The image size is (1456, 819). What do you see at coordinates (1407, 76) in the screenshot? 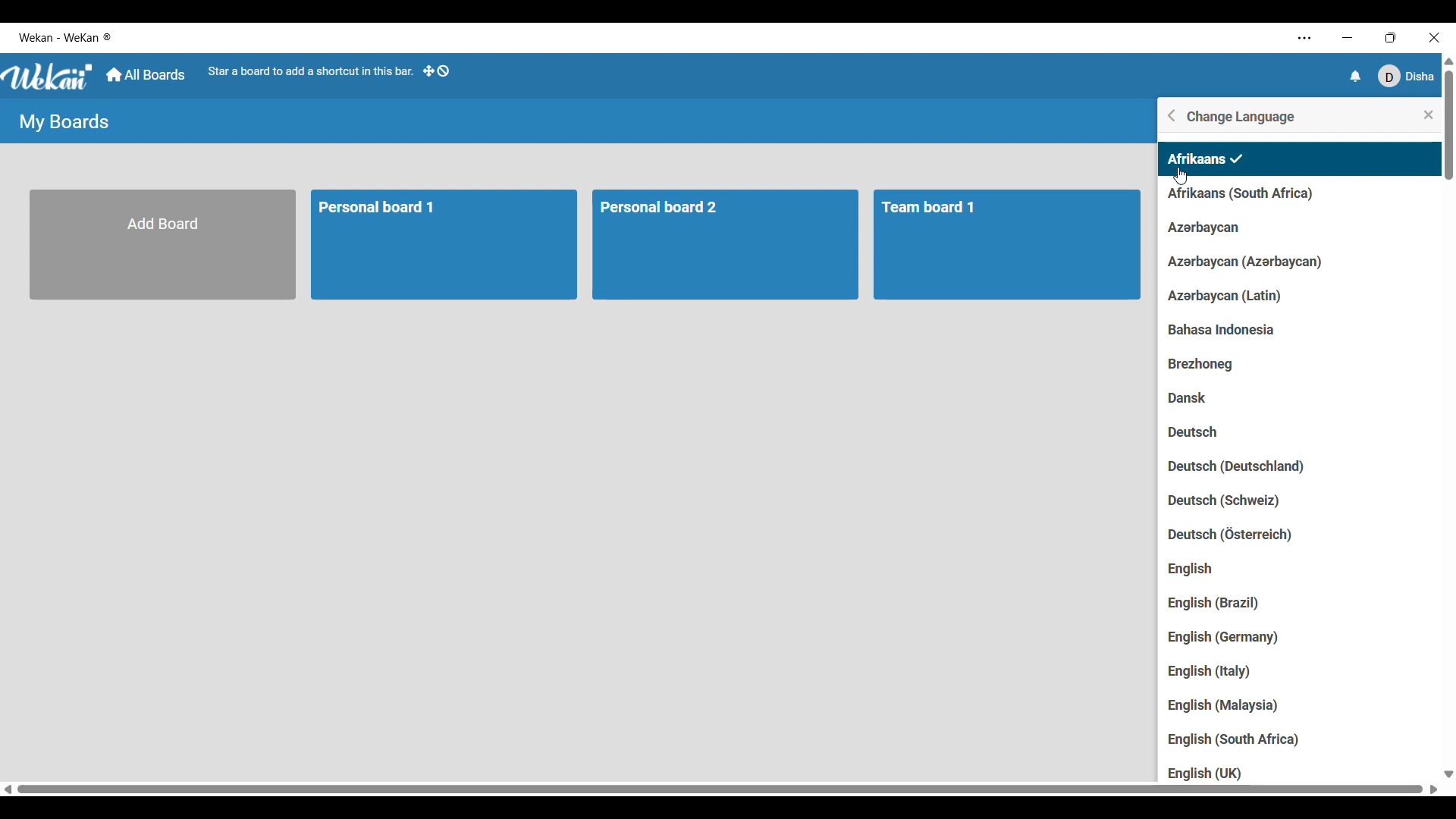
I see `Disha` at bounding box center [1407, 76].